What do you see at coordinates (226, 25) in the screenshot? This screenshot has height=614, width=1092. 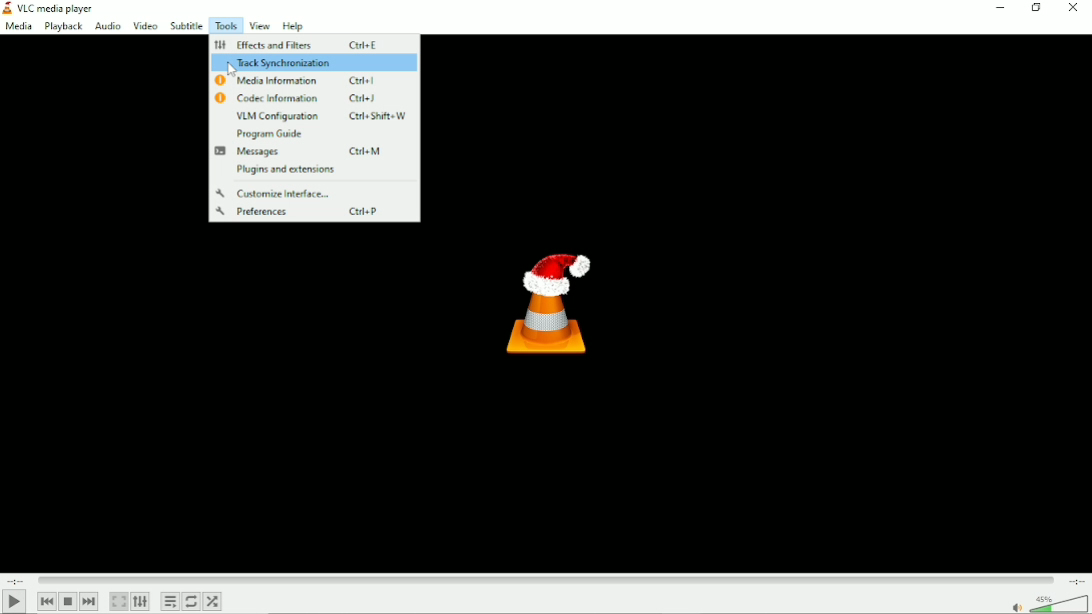 I see `Tools` at bounding box center [226, 25].